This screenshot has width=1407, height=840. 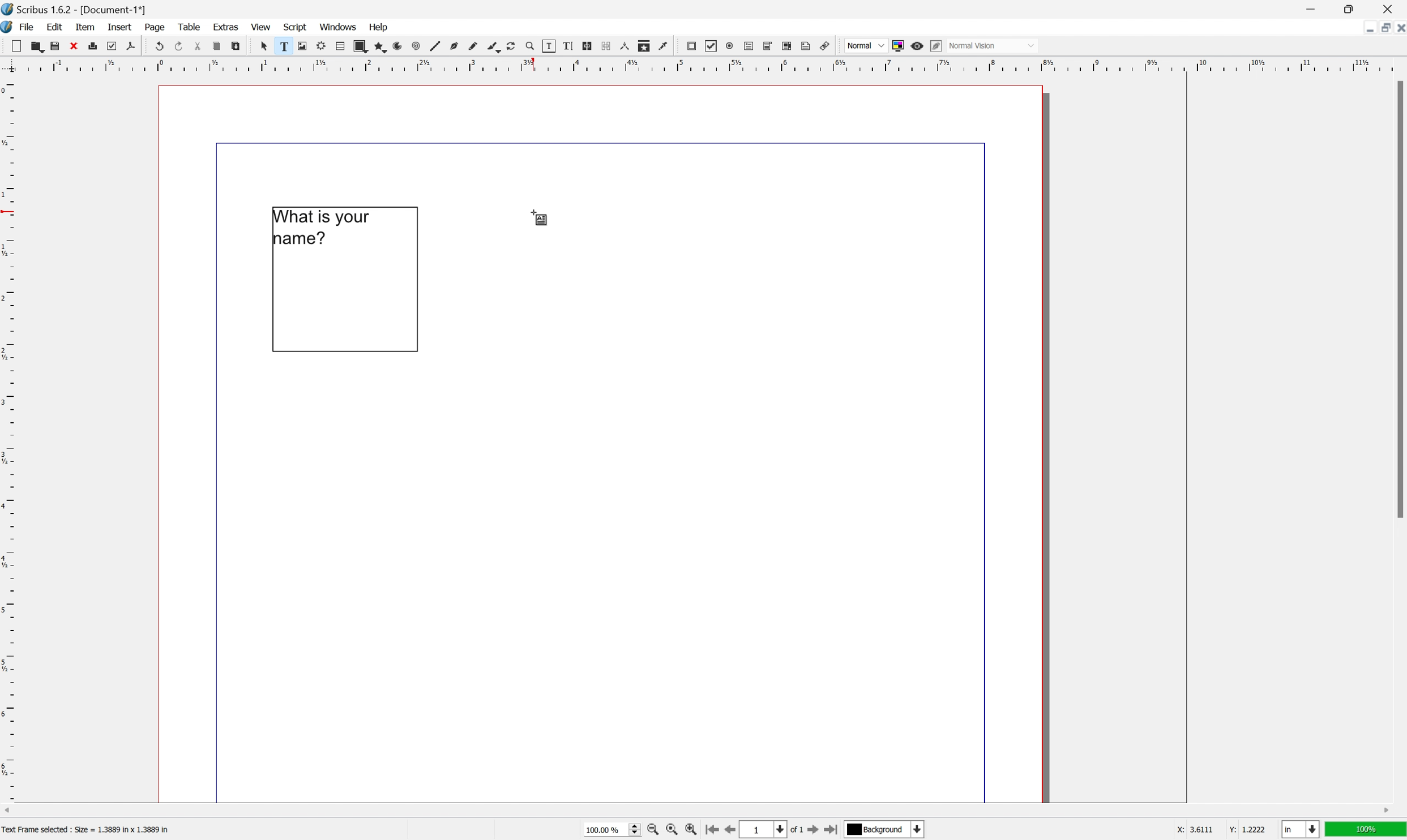 What do you see at coordinates (261, 28) in the screenshot?
I see `view` at bounding box center [261, 28].